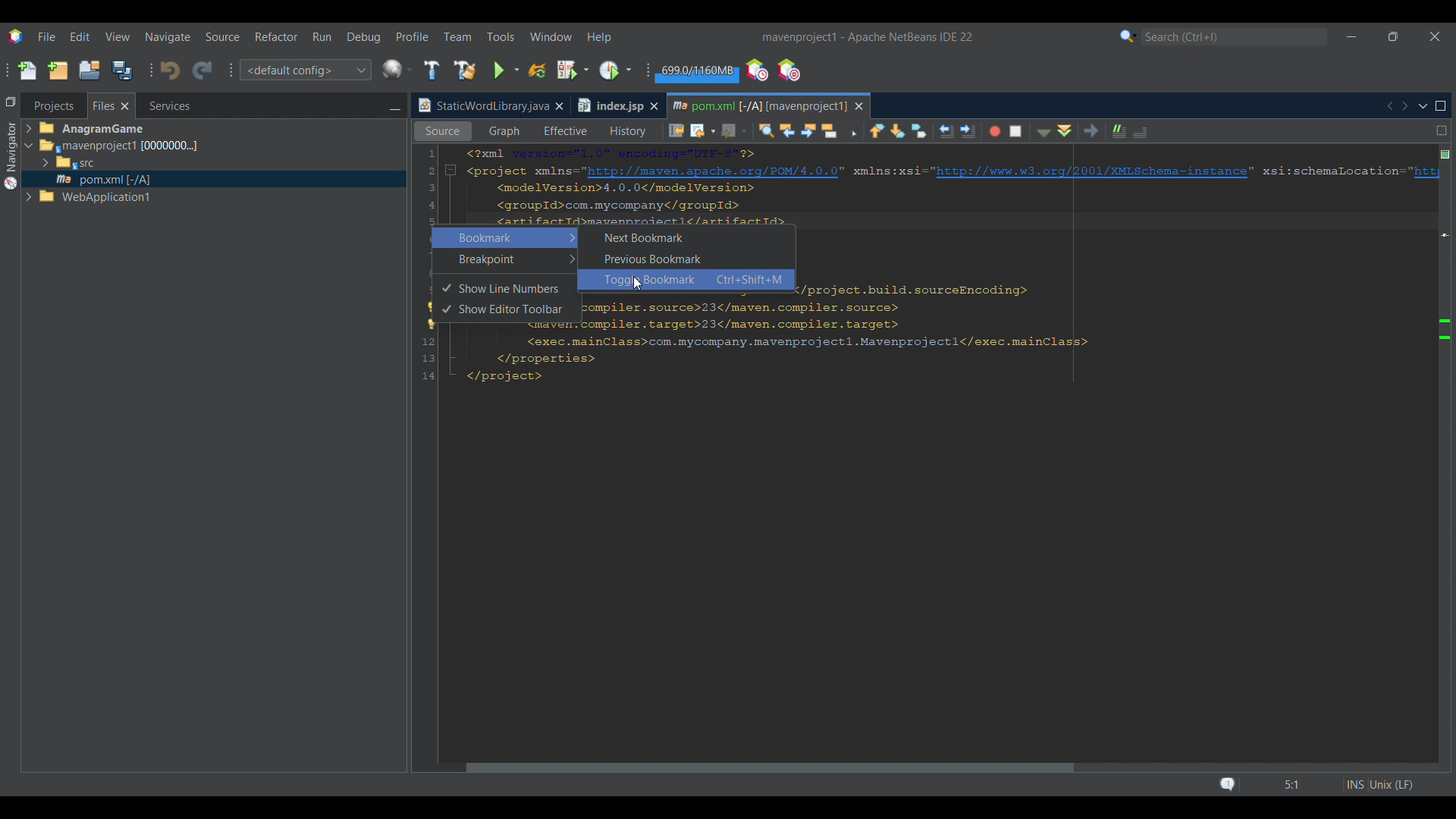 The width and height of the screenshot is (1456, 819). What do you see at coordinates (1128, 36) in the screenshot?
I see `Search category selection` at bounding box center [1128, 36].